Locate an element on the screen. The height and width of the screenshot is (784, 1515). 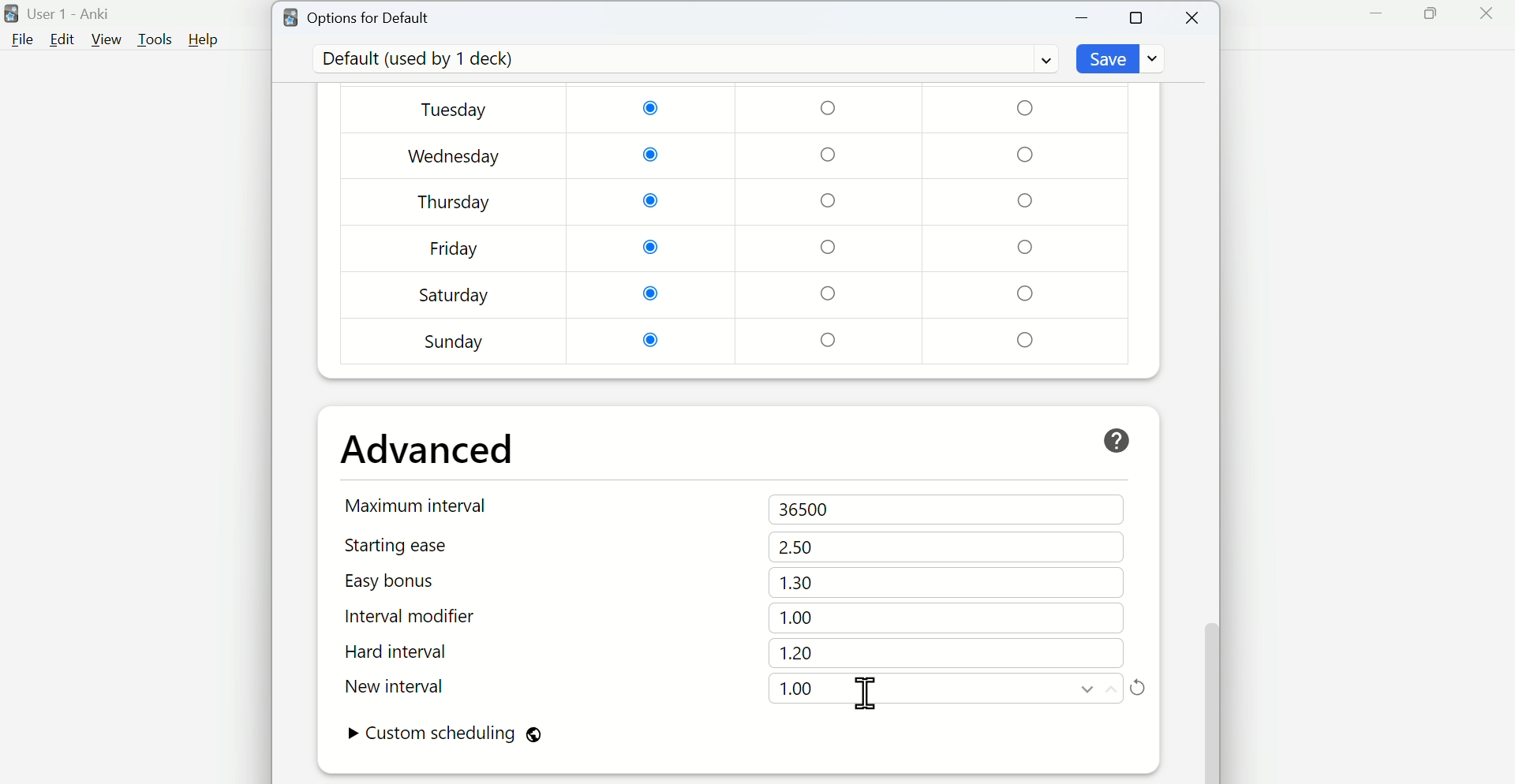
User 1 - Anki is located at coordinates (61, 14).